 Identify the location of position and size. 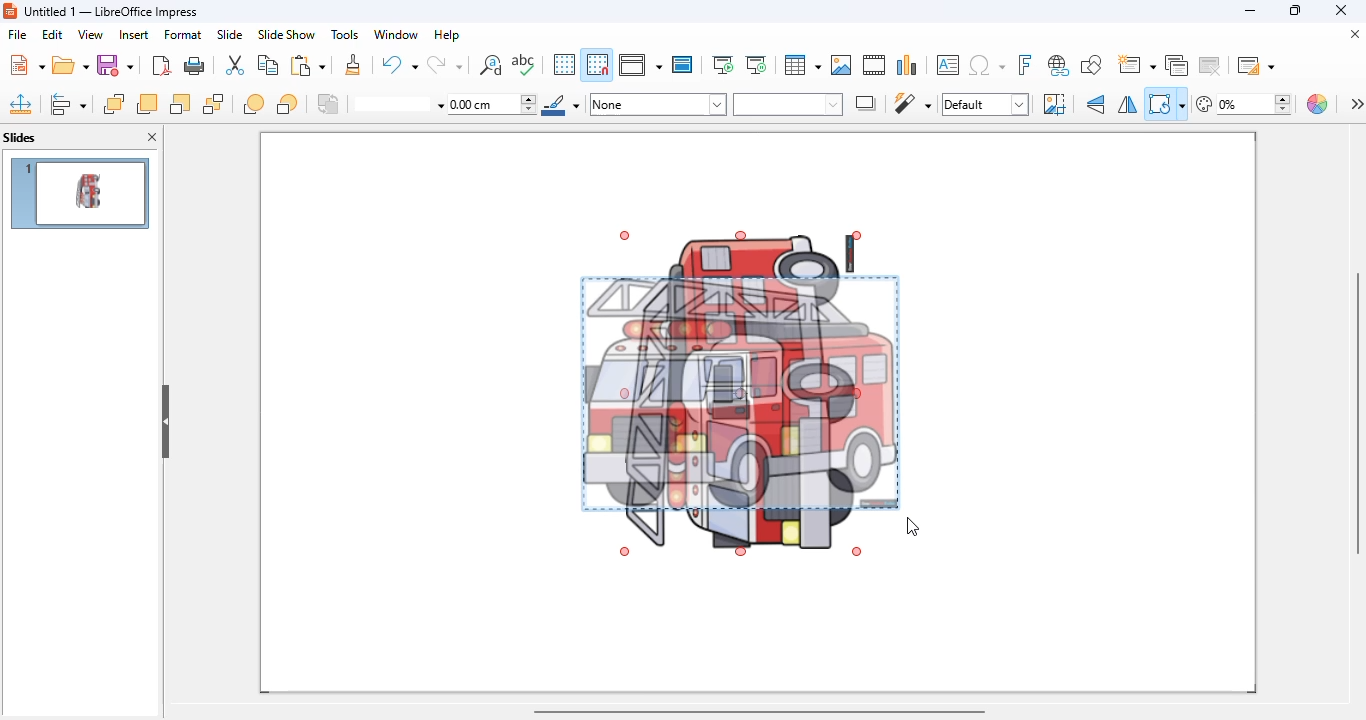
(21, 104).